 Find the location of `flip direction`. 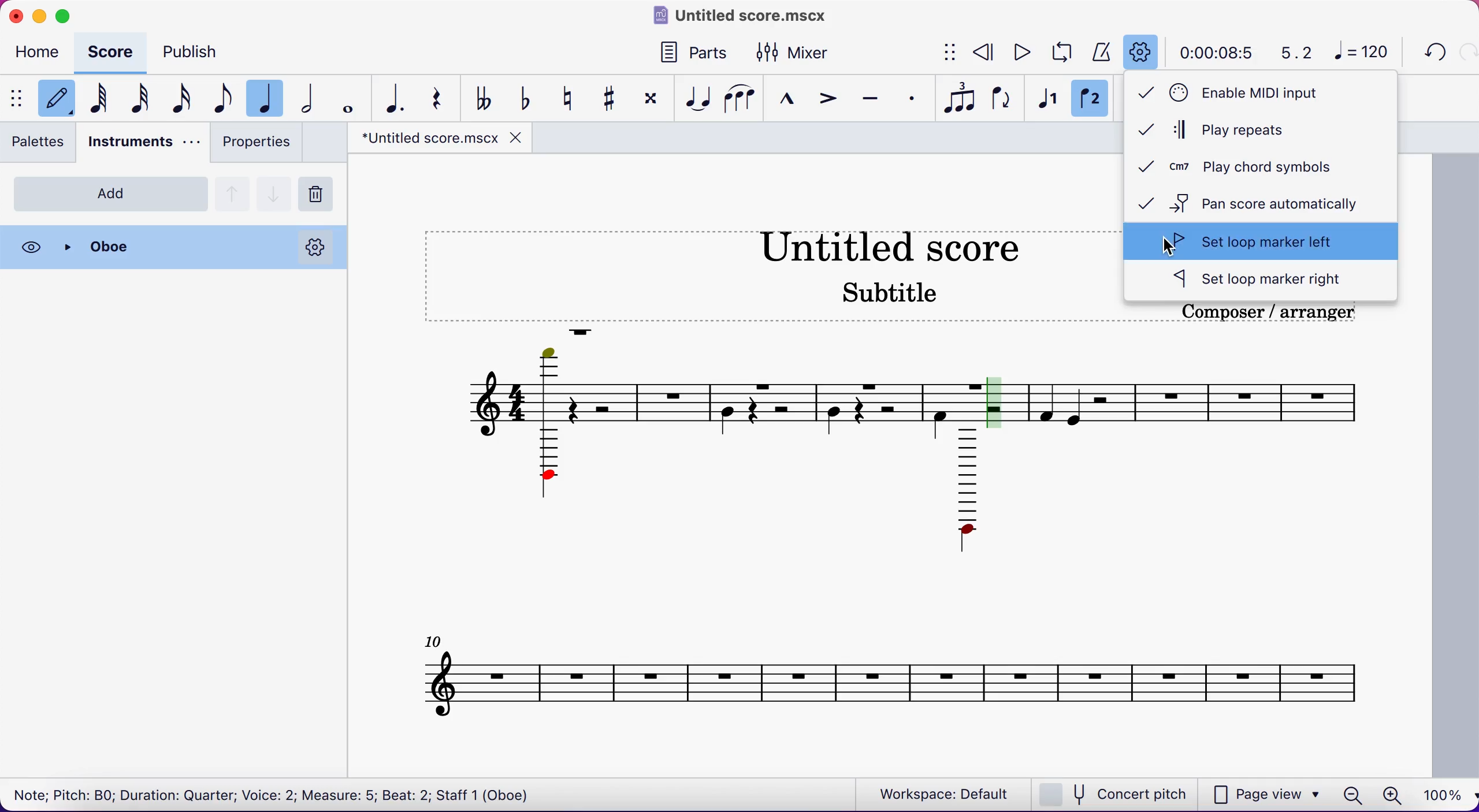

flip direction is located at coordinates (1004, 101).